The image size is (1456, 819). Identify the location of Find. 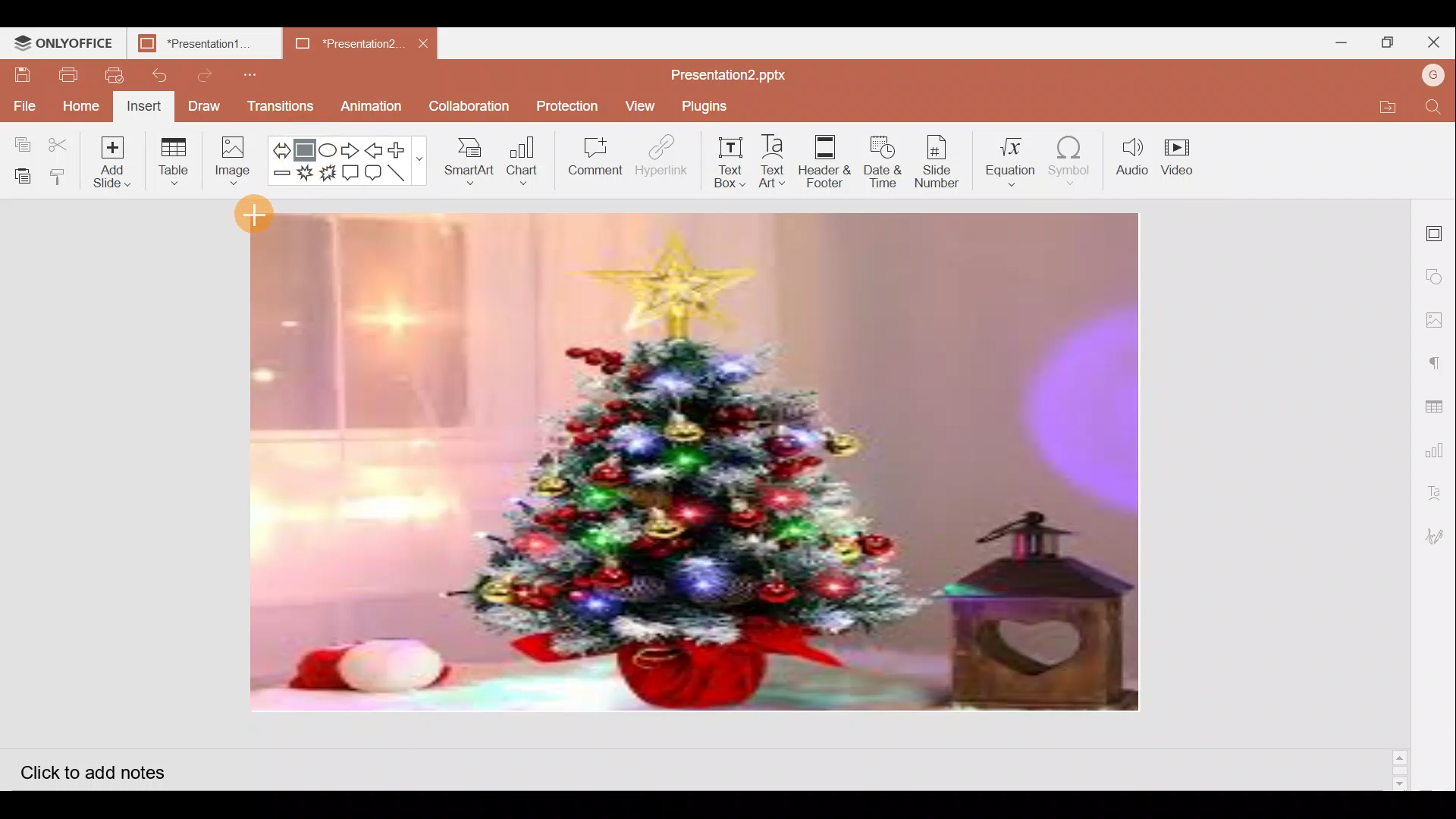
(1438, 108).